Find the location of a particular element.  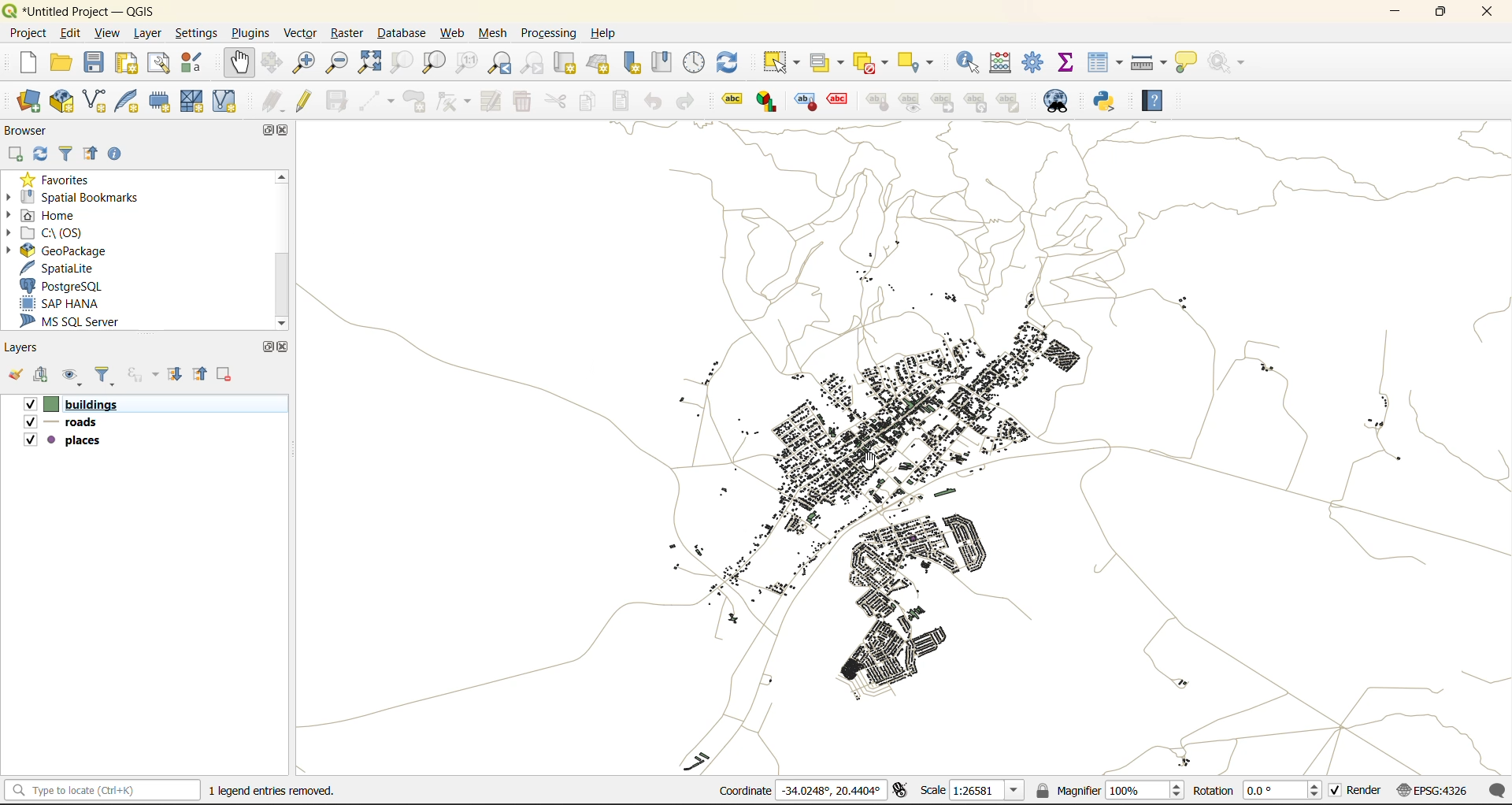

zoom in is located at coordinates (308, 63).